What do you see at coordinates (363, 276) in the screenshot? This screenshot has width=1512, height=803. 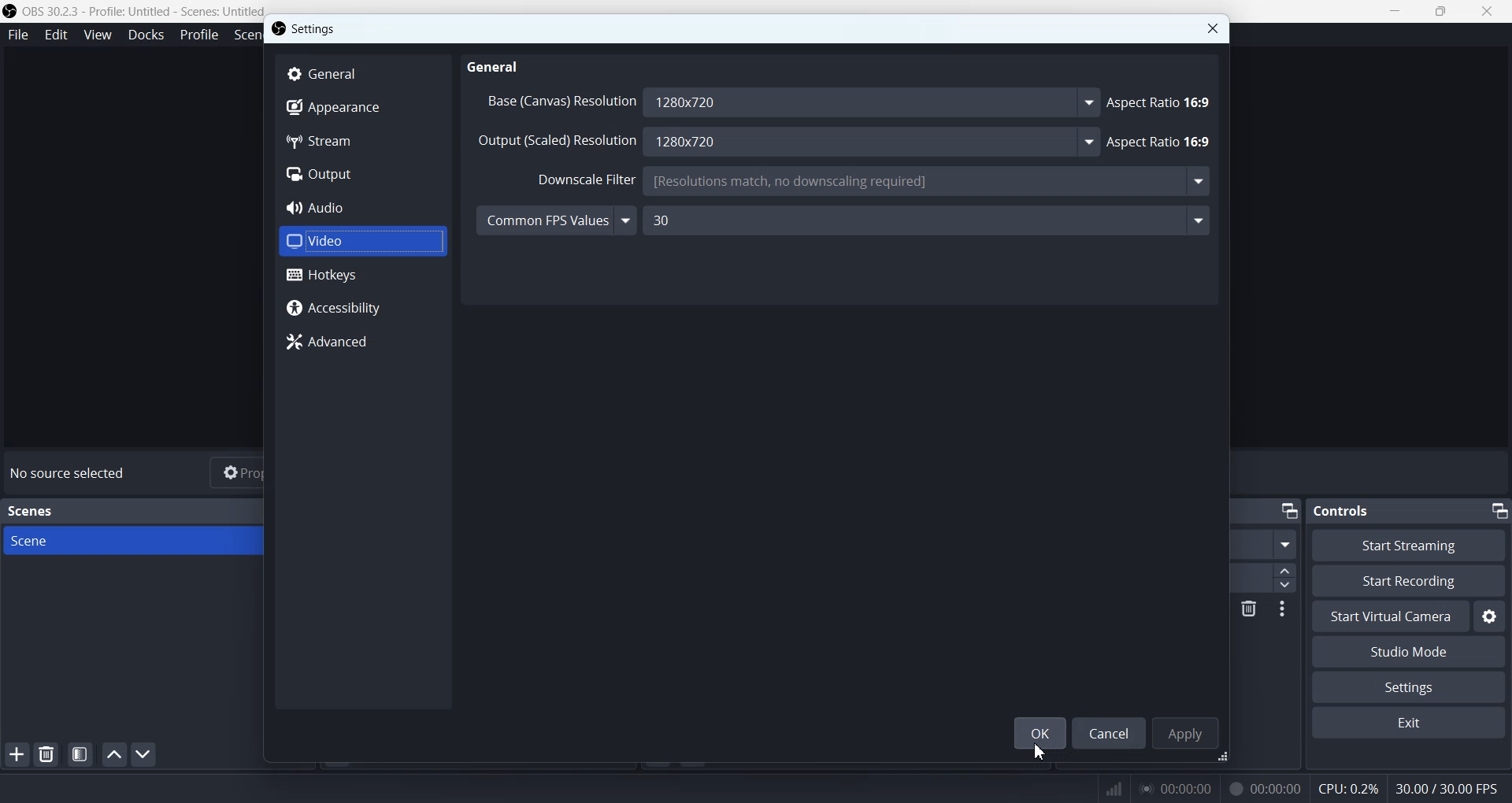 I see `Hotkeys` at bounding box center [363, 276].